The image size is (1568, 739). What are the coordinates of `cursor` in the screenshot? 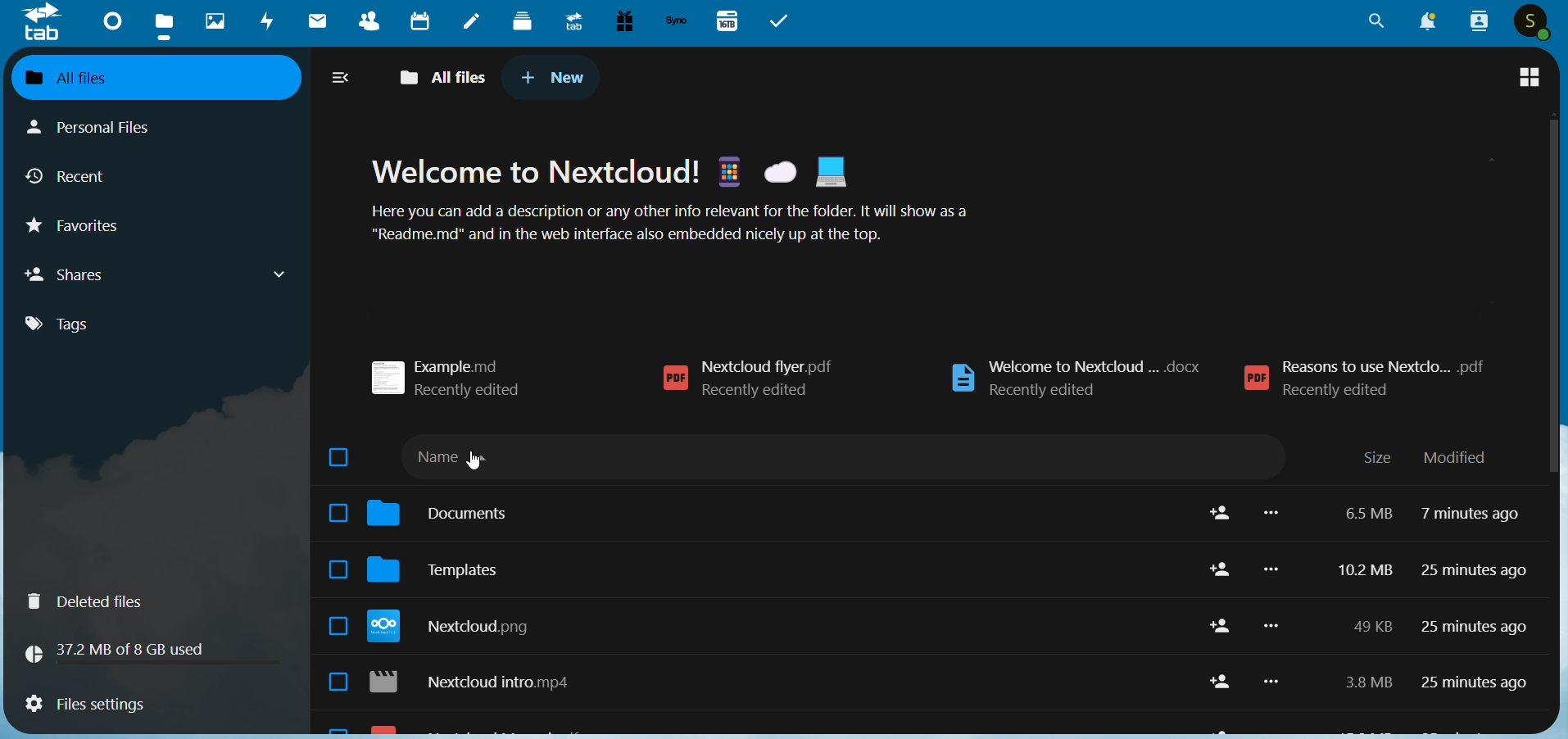 It's located at (478, 463).